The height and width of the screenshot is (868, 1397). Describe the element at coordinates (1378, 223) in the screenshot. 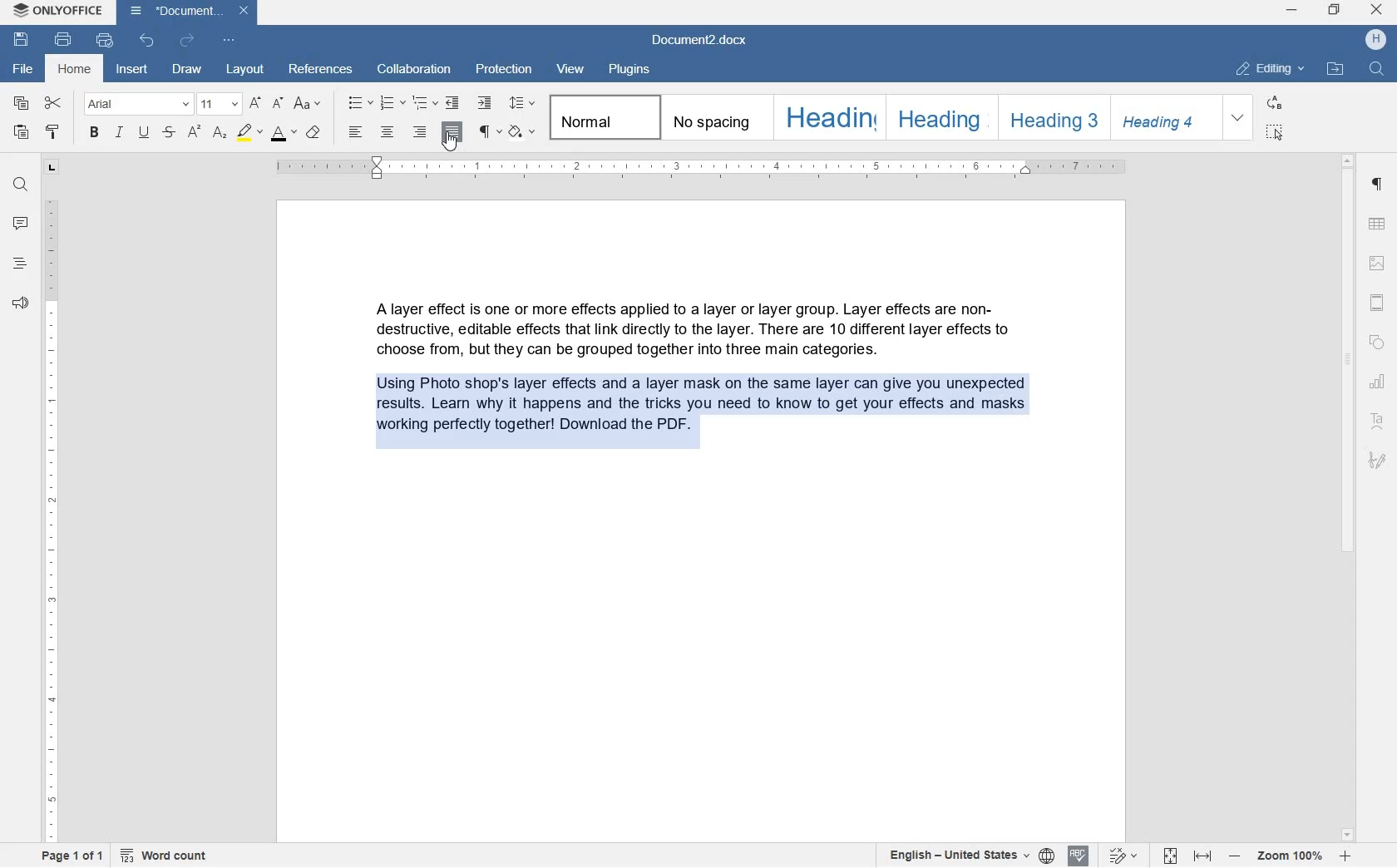

I see `TABLE` at that location.